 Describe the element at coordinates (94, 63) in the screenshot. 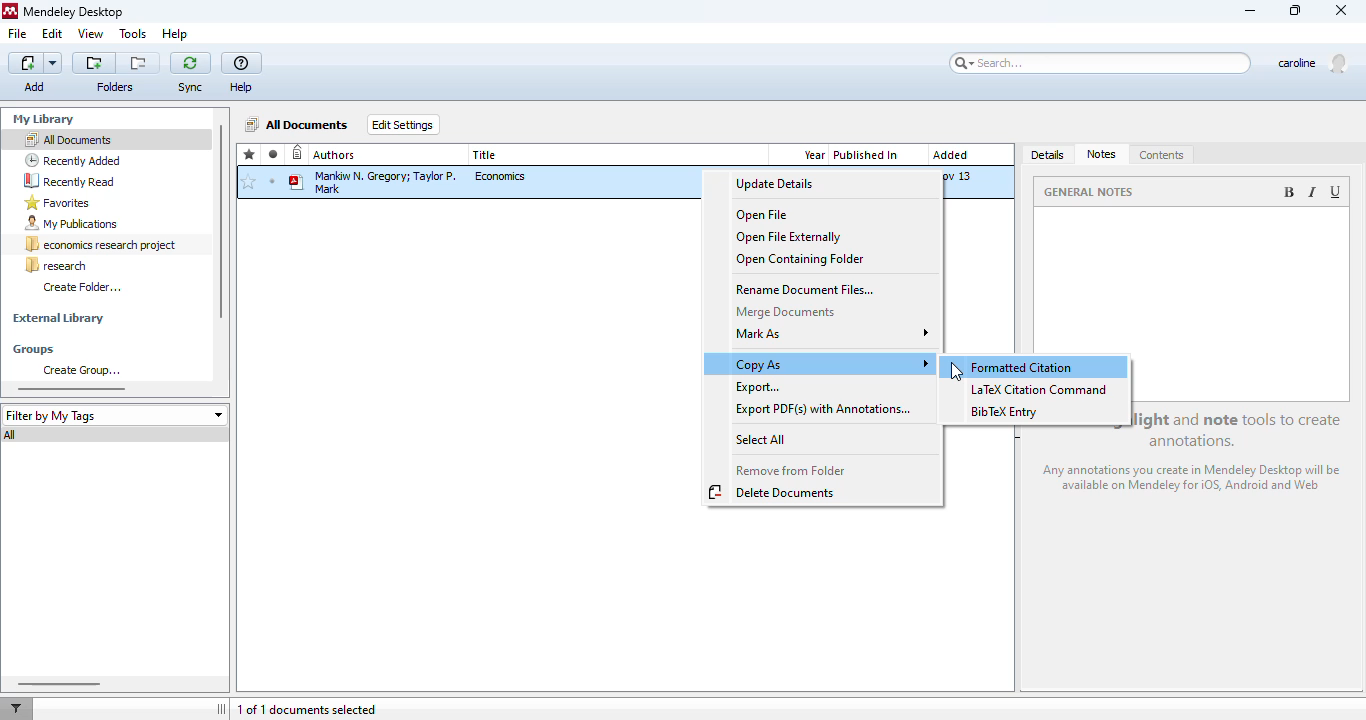

I see `create a new folder` at that location.